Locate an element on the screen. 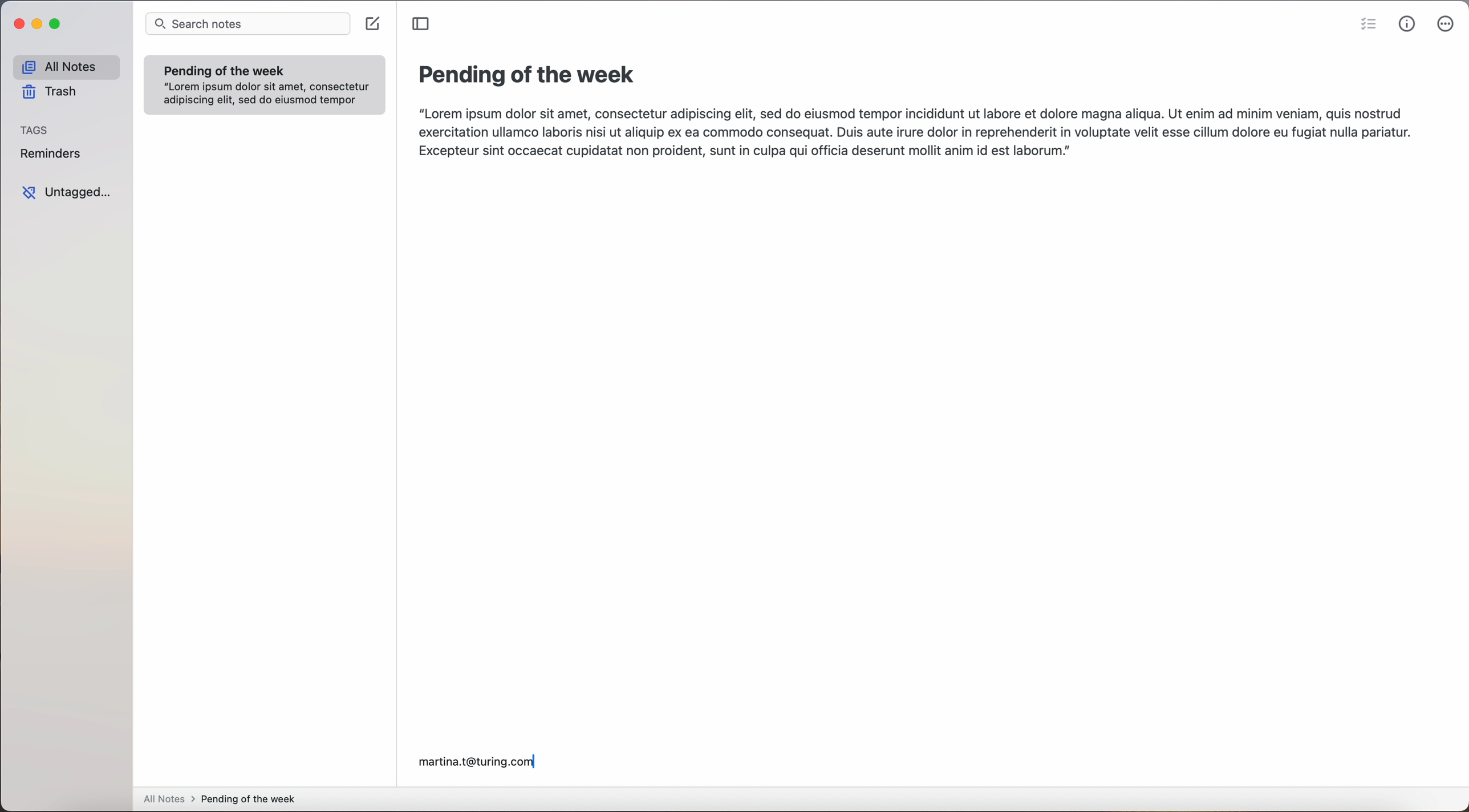 Image resolution: width=1469 pixels, height=812 pixels. metrics is located at coordinates (1407, 24).